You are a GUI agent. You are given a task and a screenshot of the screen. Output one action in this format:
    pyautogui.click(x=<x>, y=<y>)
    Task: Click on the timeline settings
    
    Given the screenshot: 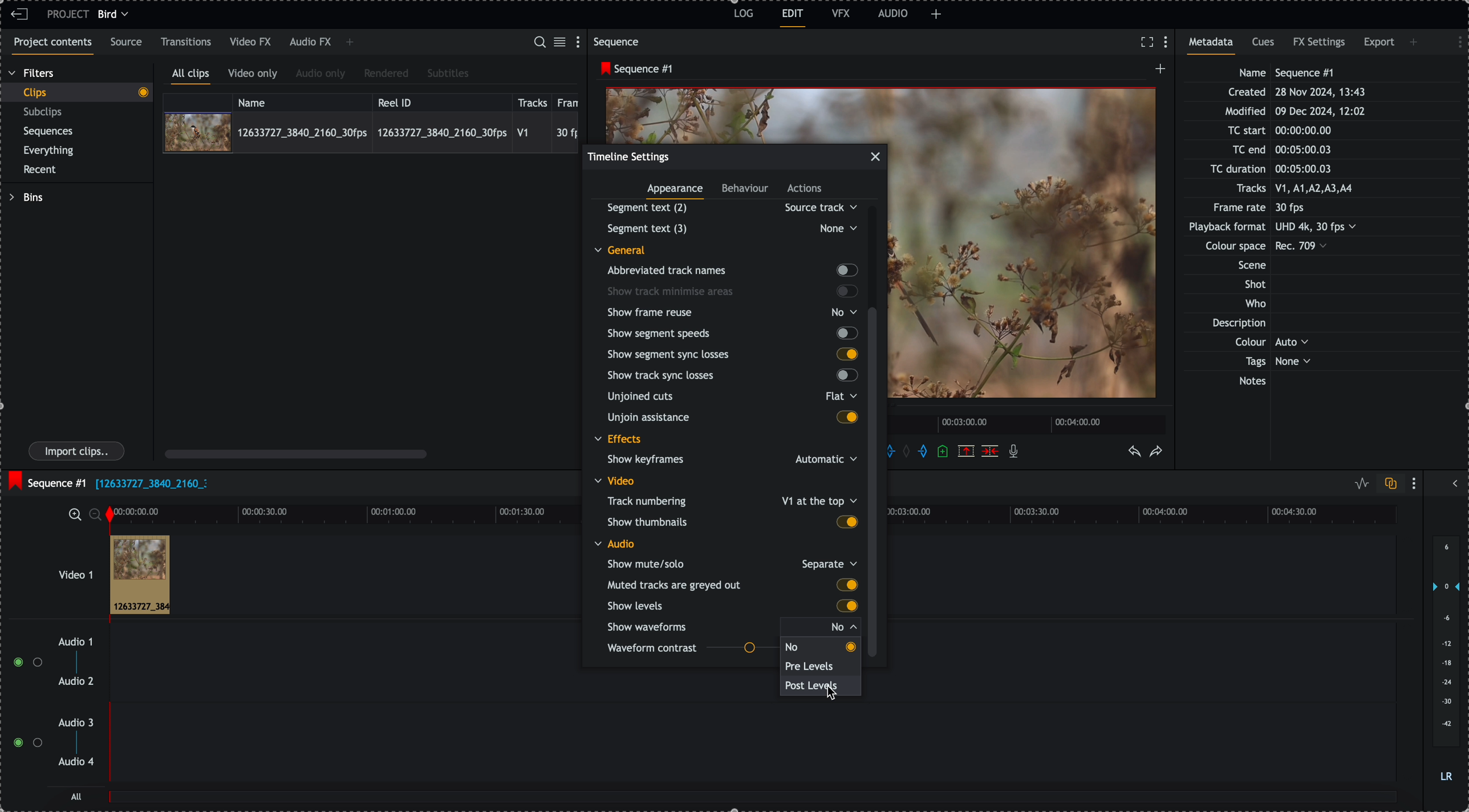 What is the action you would take?
    pyautogui.click(x=629, y=156)
    